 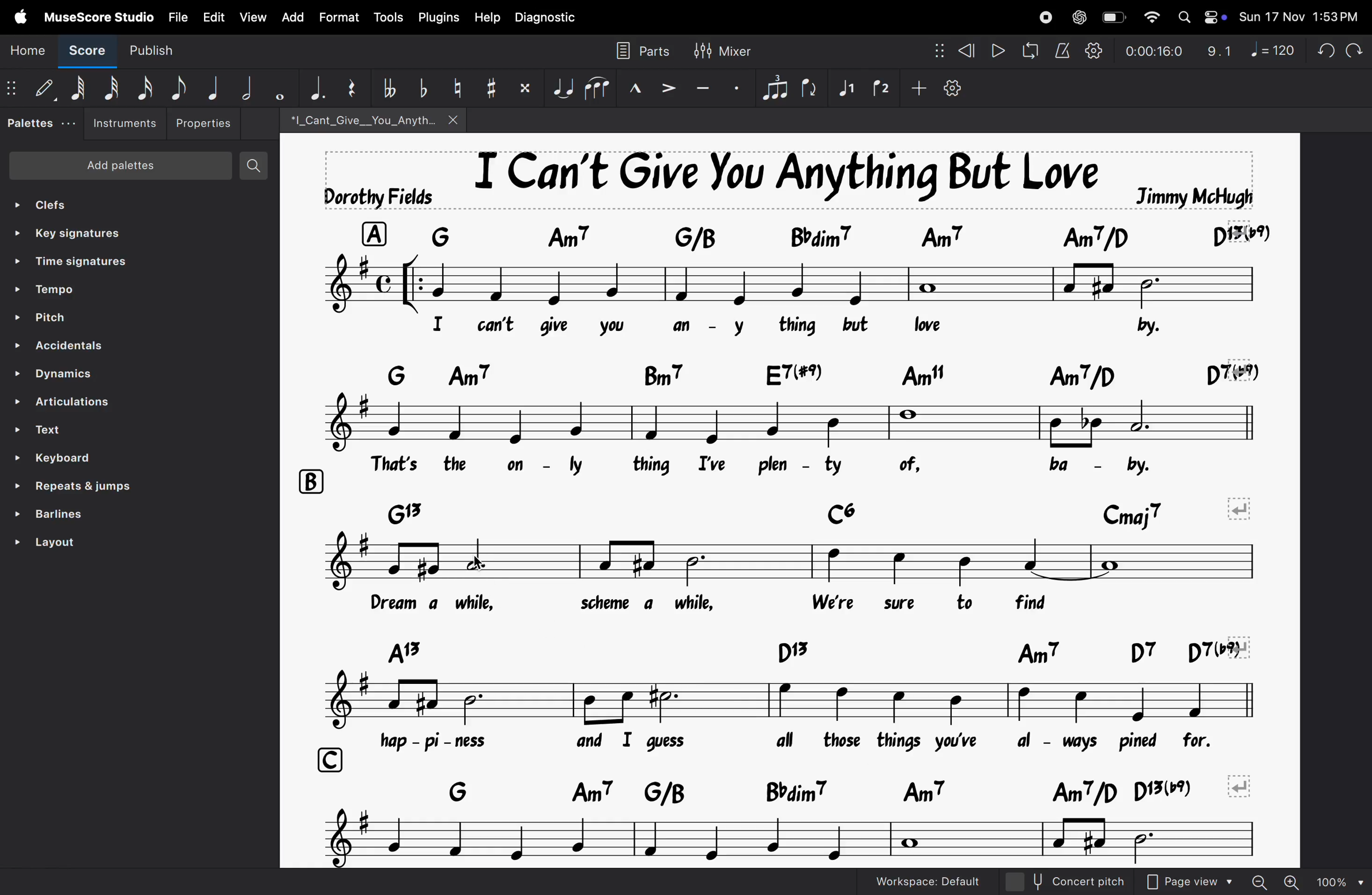 I want to click on record, so click(x=1041, y=18).